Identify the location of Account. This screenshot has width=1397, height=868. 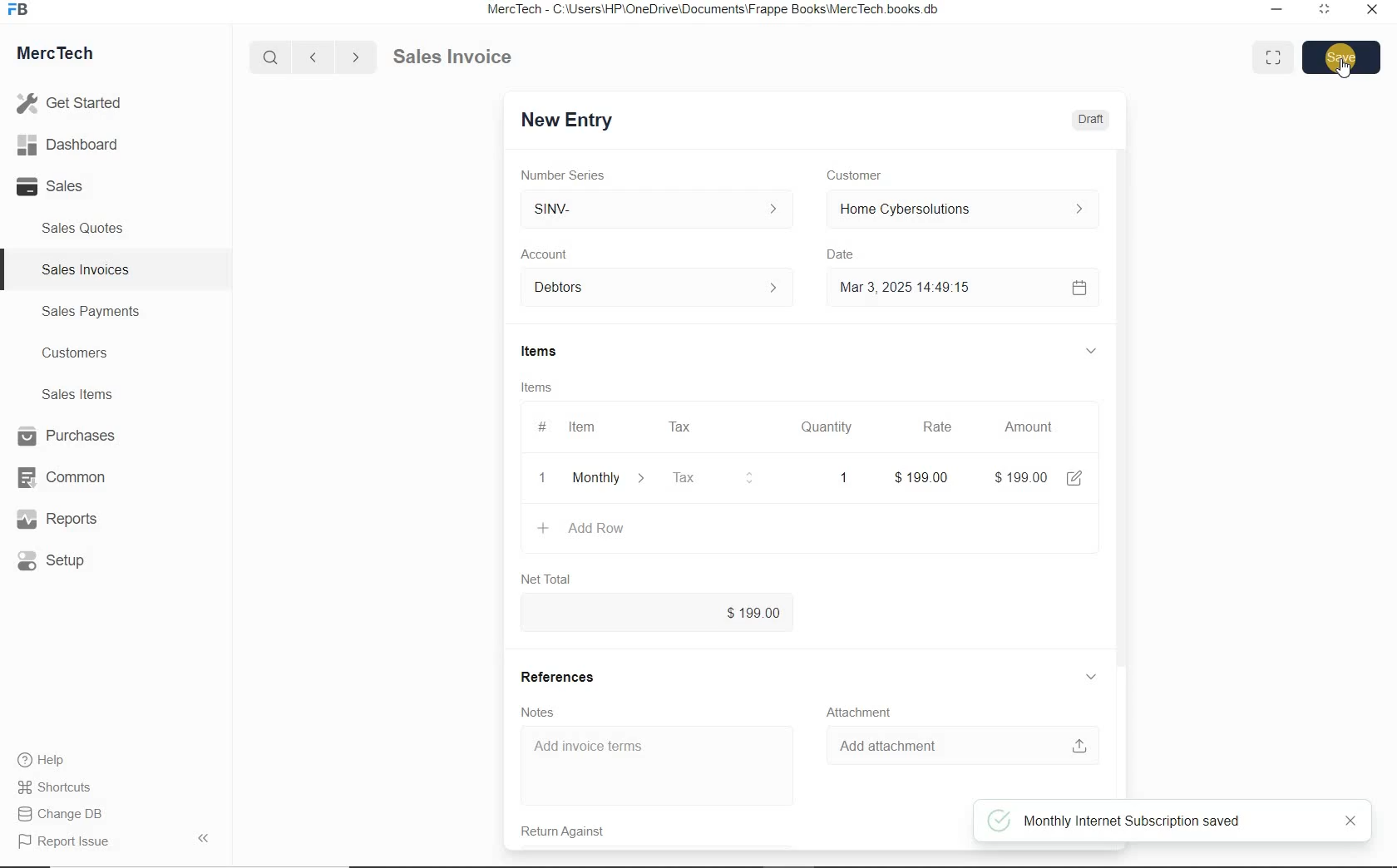
(548, 254).